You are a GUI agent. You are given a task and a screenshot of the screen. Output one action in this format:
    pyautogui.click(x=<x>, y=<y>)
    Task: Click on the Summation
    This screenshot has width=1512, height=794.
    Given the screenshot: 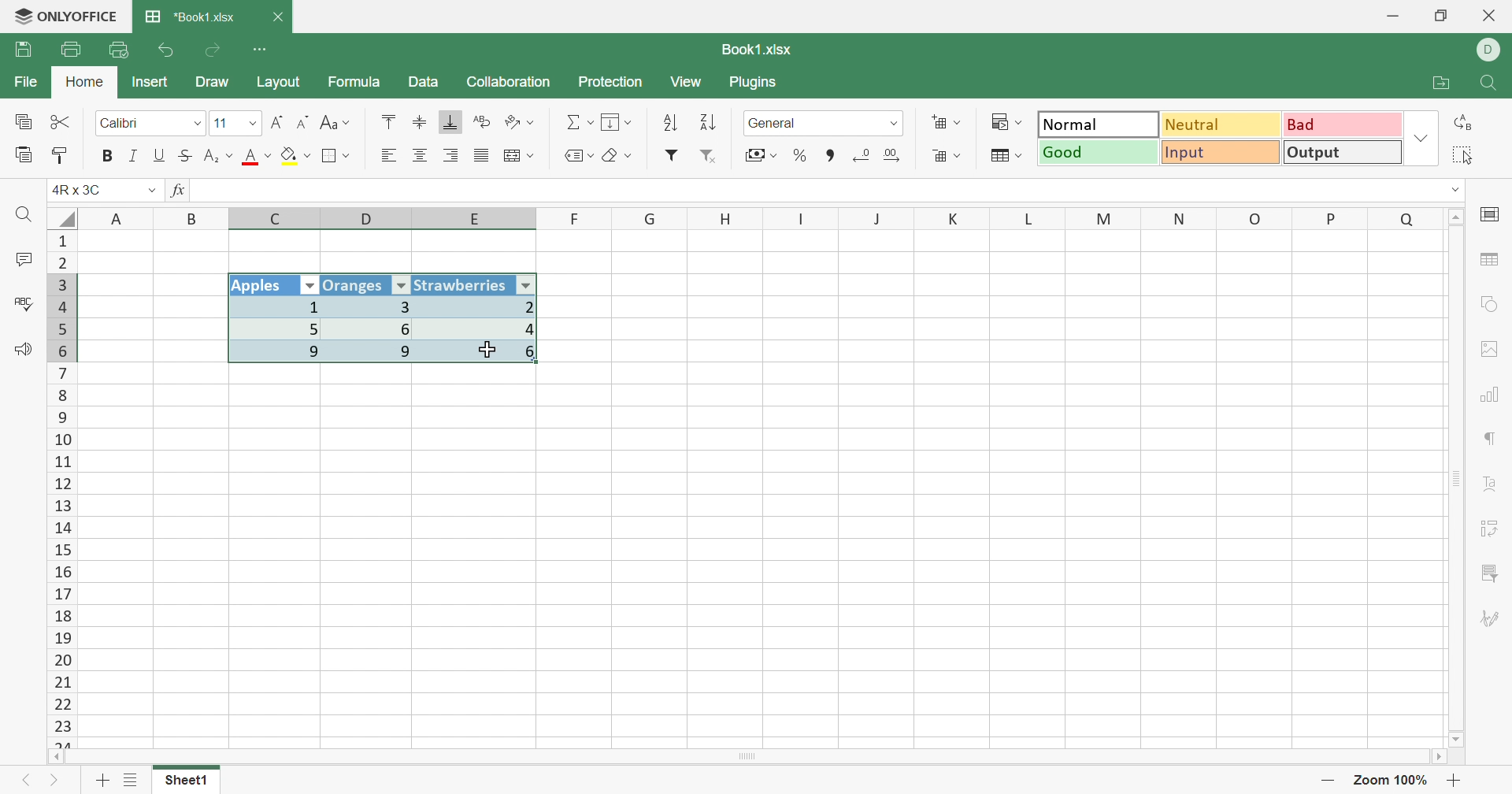 What is the action you would take?
    pyautogui.click(x=580, y=123)
    